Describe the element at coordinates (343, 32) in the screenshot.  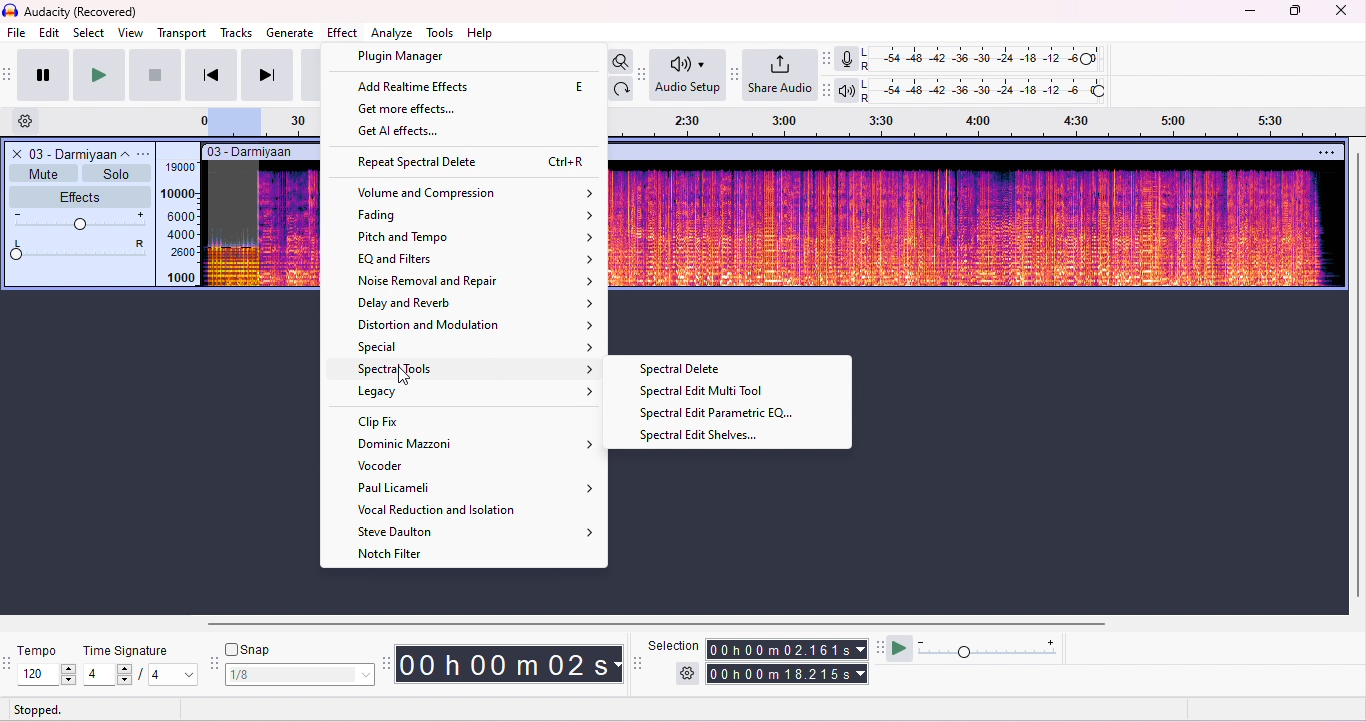
I see `effect` at that location.